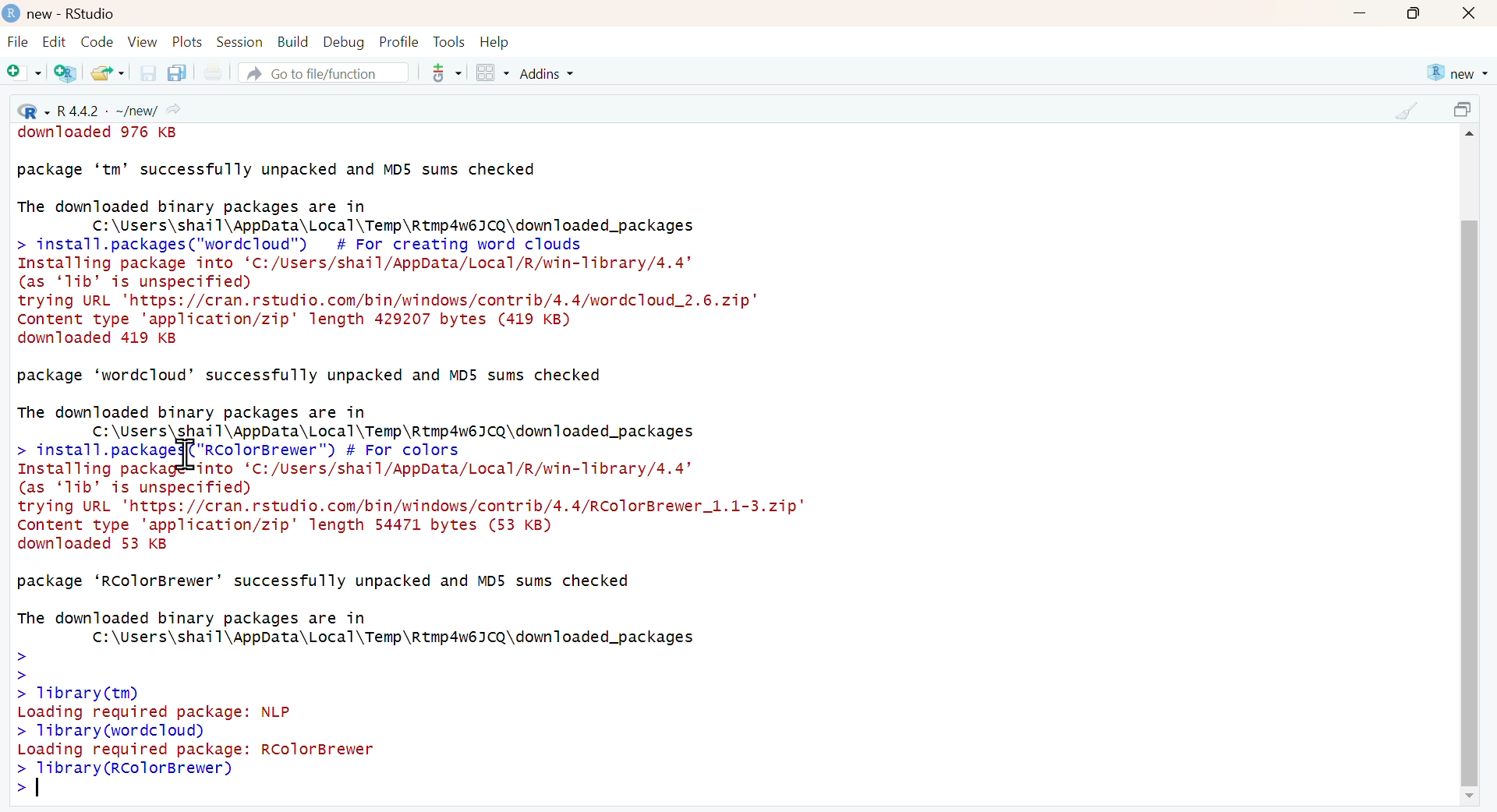 The image size is (1497, 812). I want to click on minimize, so click(1361, 12).